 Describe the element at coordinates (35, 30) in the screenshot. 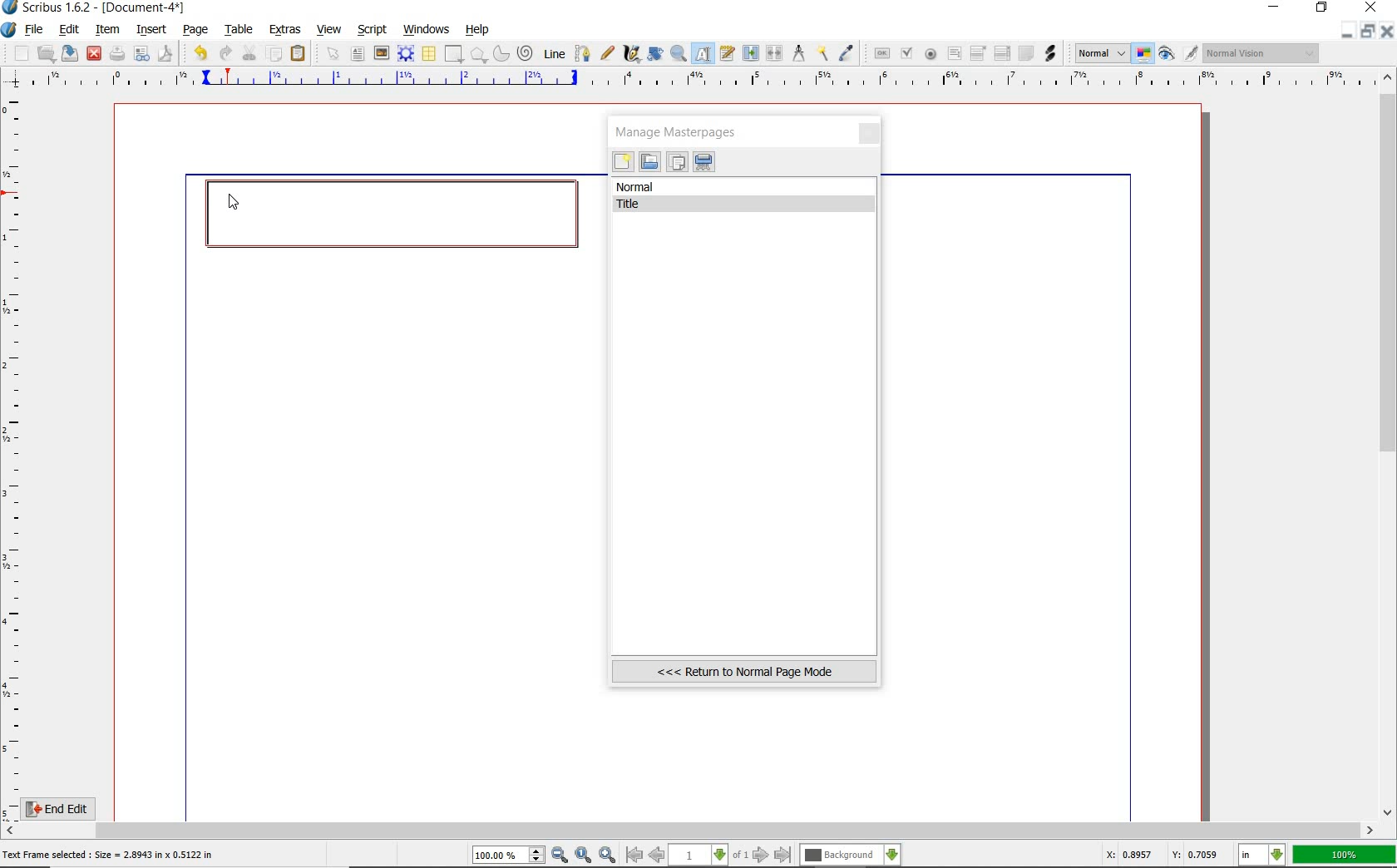

I see `file` at that location.